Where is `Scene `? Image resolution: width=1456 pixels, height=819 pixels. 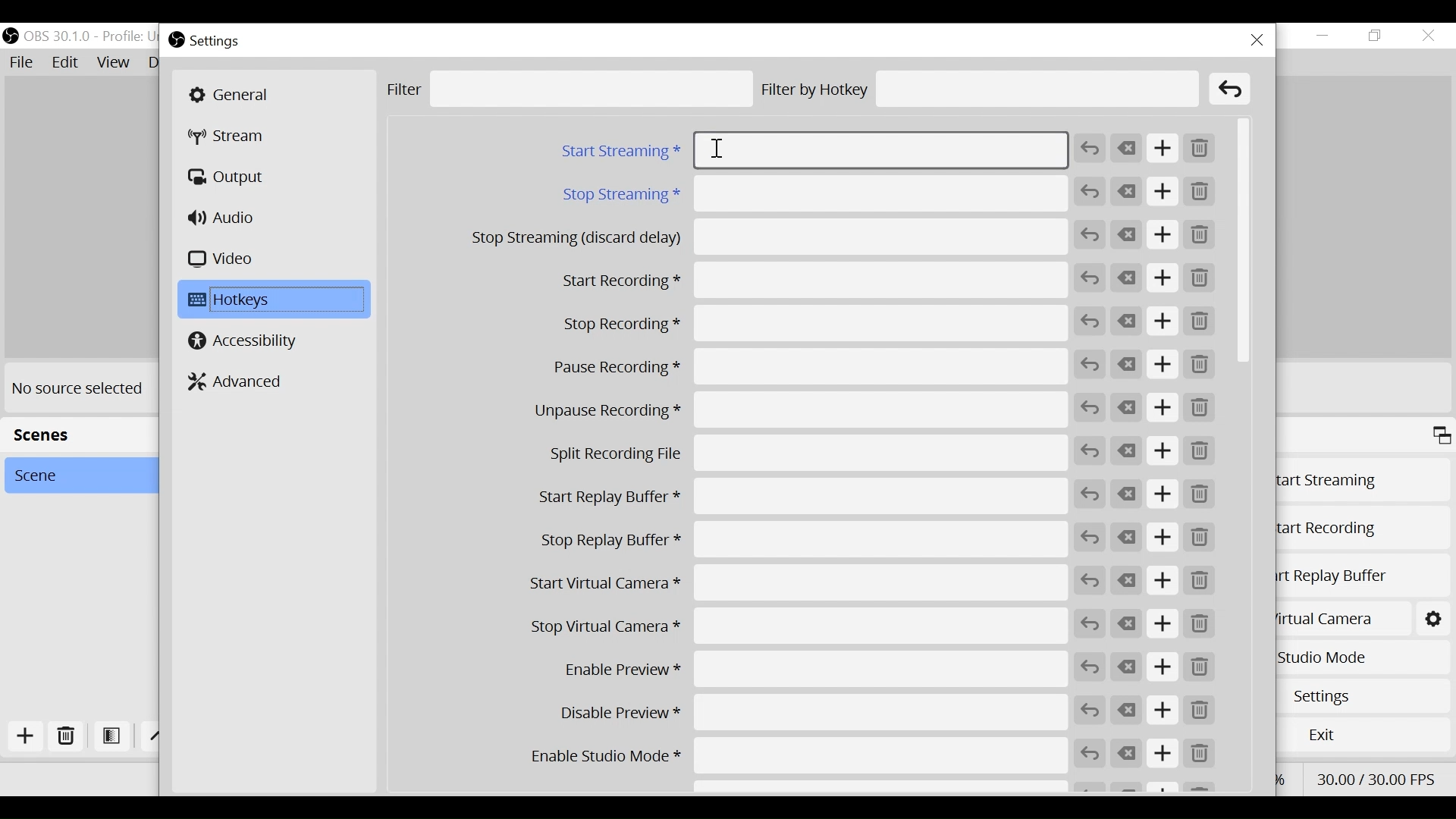
Scene  is located at coordinates (74, 475).